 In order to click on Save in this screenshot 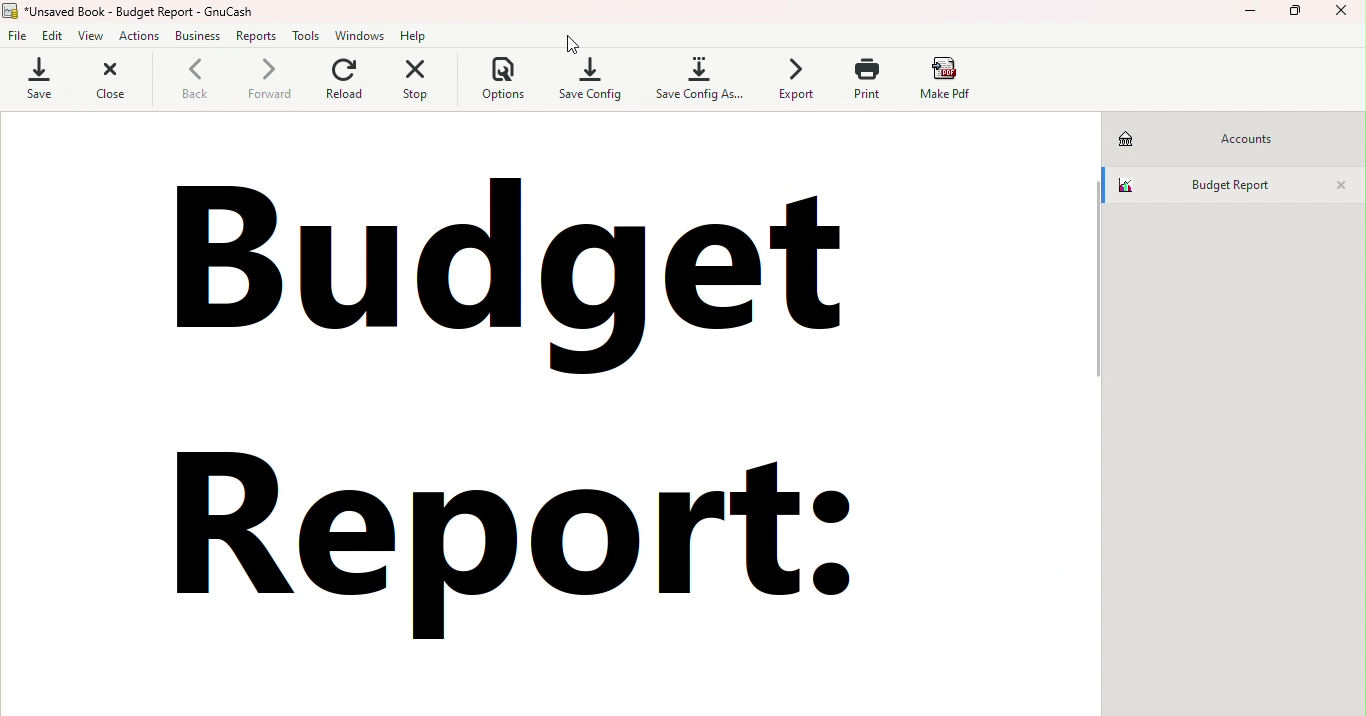, I will do `click(44, 78)`.